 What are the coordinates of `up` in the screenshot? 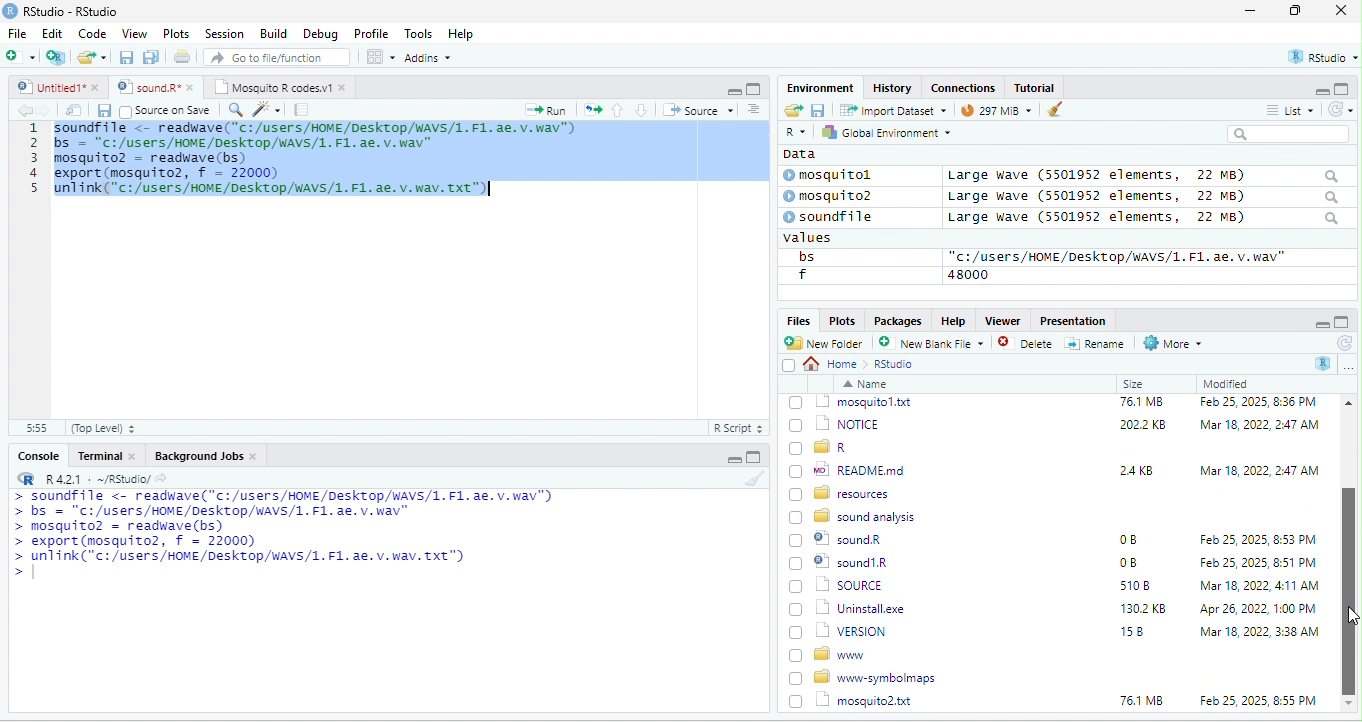 It's located at (619, 109).